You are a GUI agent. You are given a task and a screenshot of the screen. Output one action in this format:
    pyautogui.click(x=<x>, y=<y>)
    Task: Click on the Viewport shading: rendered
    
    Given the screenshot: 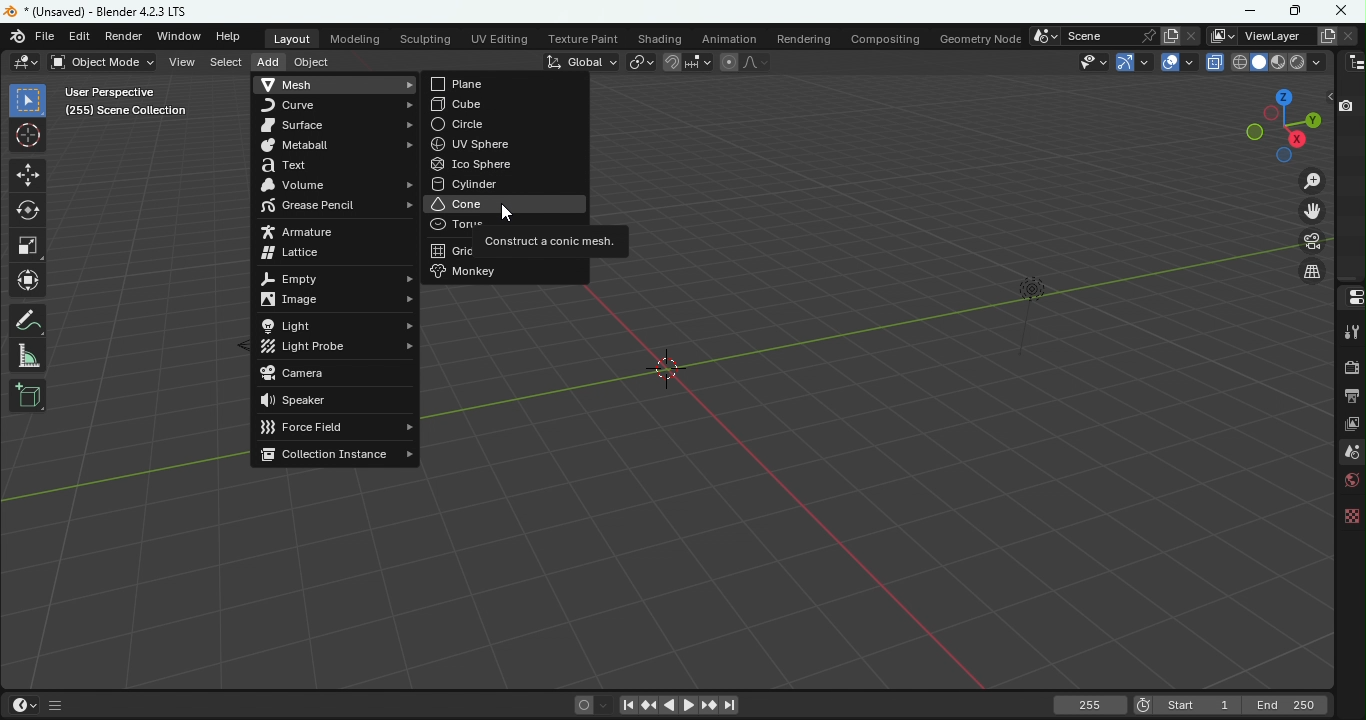 What is the action you would take?
    pyautogui.click(x=1296, y=62)
    